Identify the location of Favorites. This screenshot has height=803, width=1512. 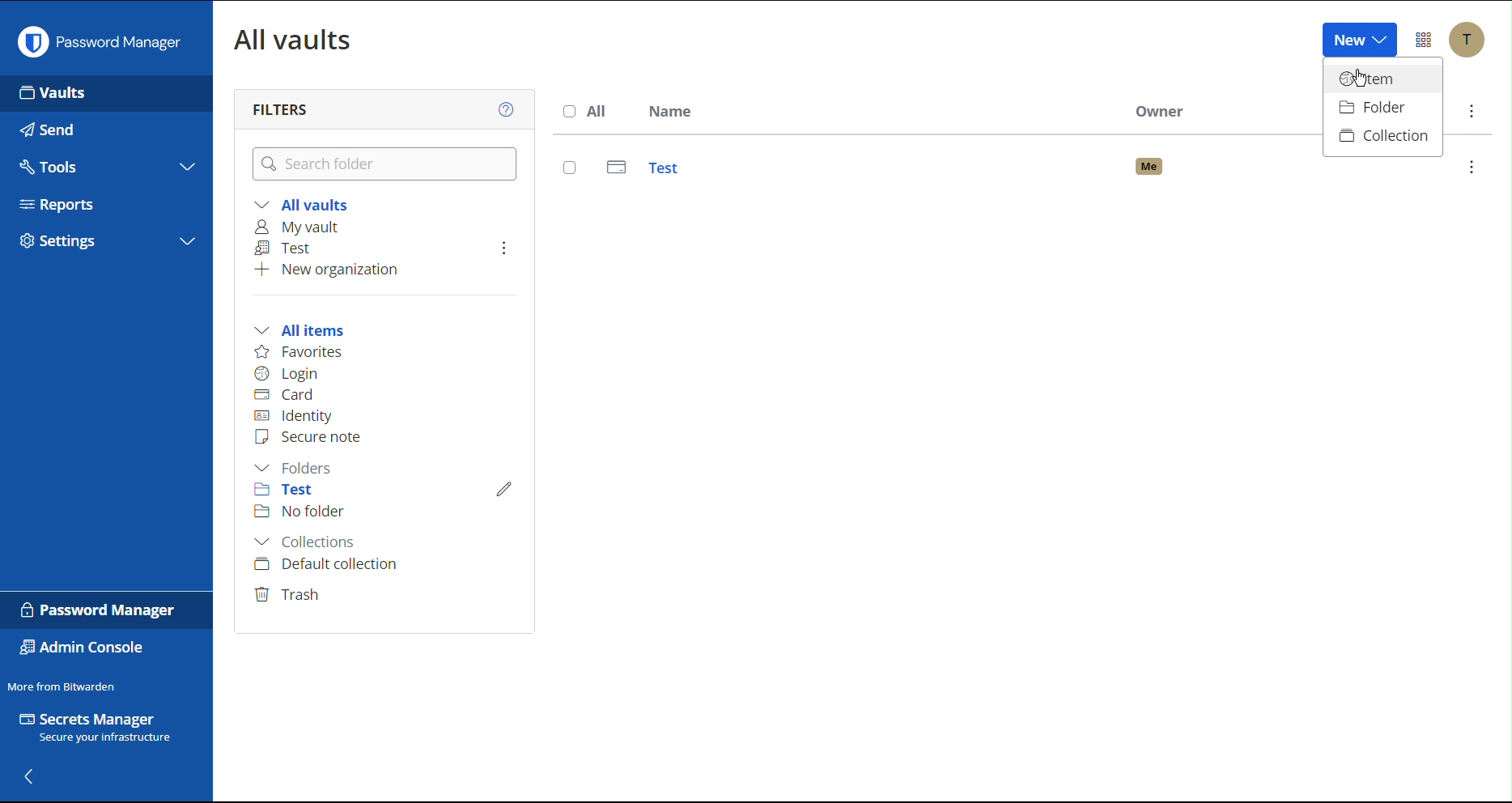
(300, 352).